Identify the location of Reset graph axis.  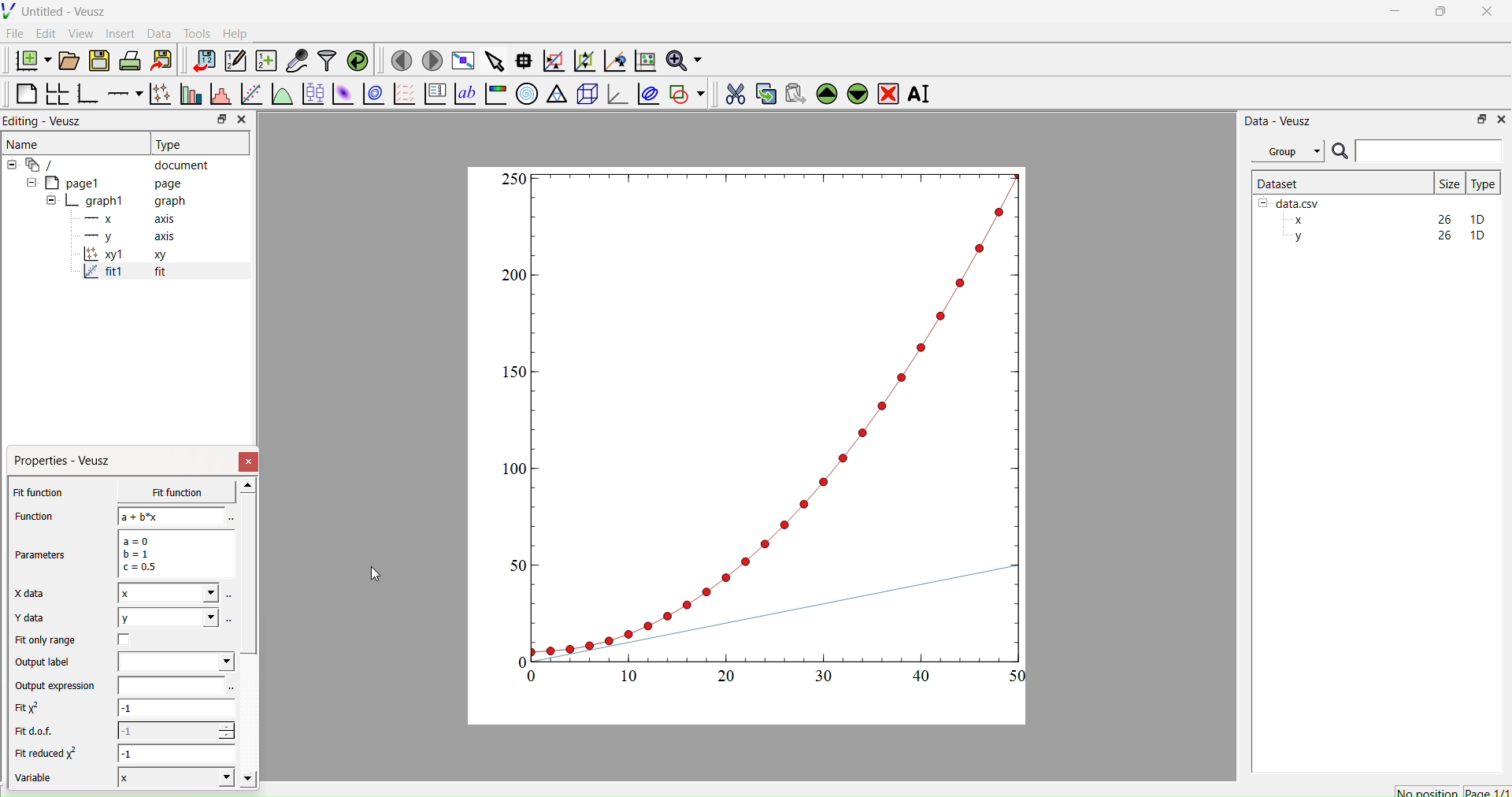
(643, 60).